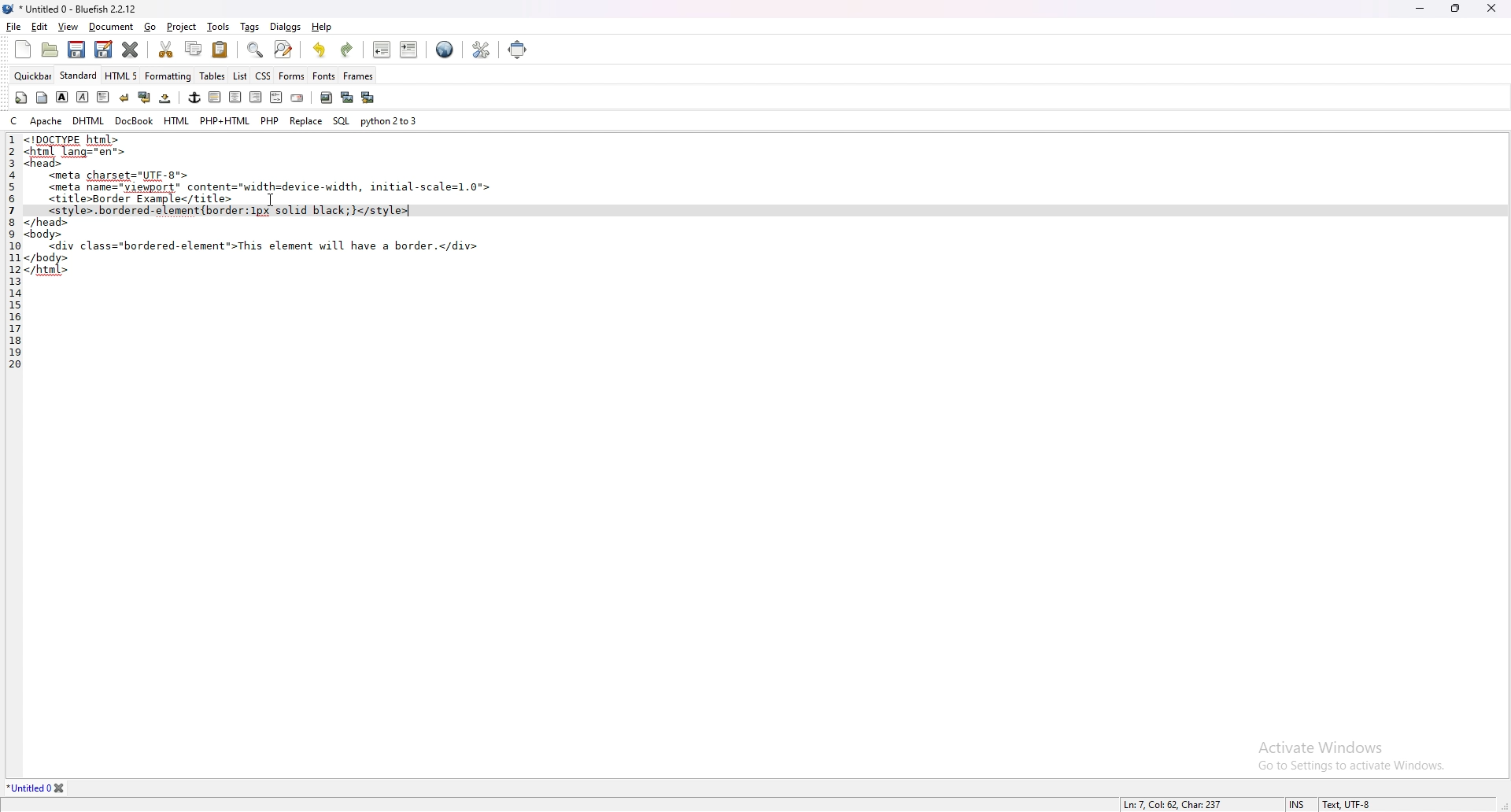 The image size is (1511, 812). What do you see at coordinates (297, 98) in the screenshot?
I see `email` at bounding box center [297, 98].